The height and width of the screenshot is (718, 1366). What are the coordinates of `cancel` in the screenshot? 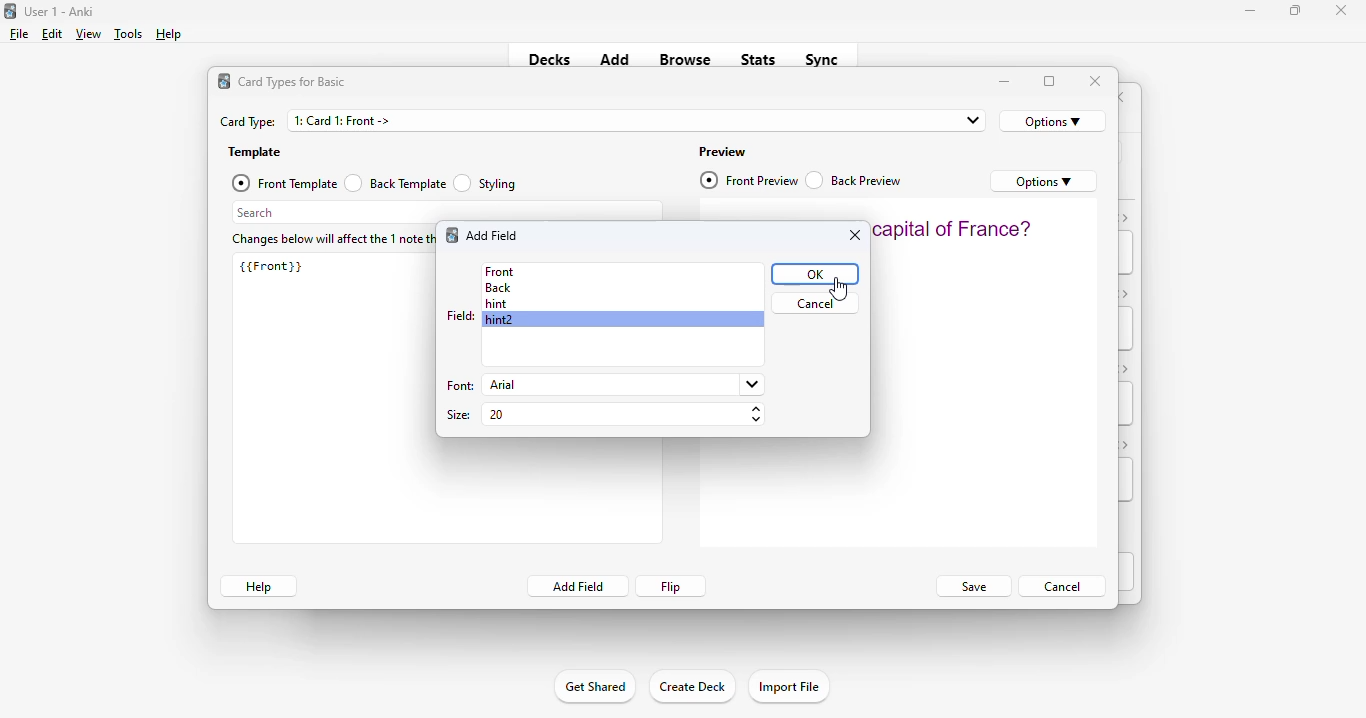 It's located at (814, 303).